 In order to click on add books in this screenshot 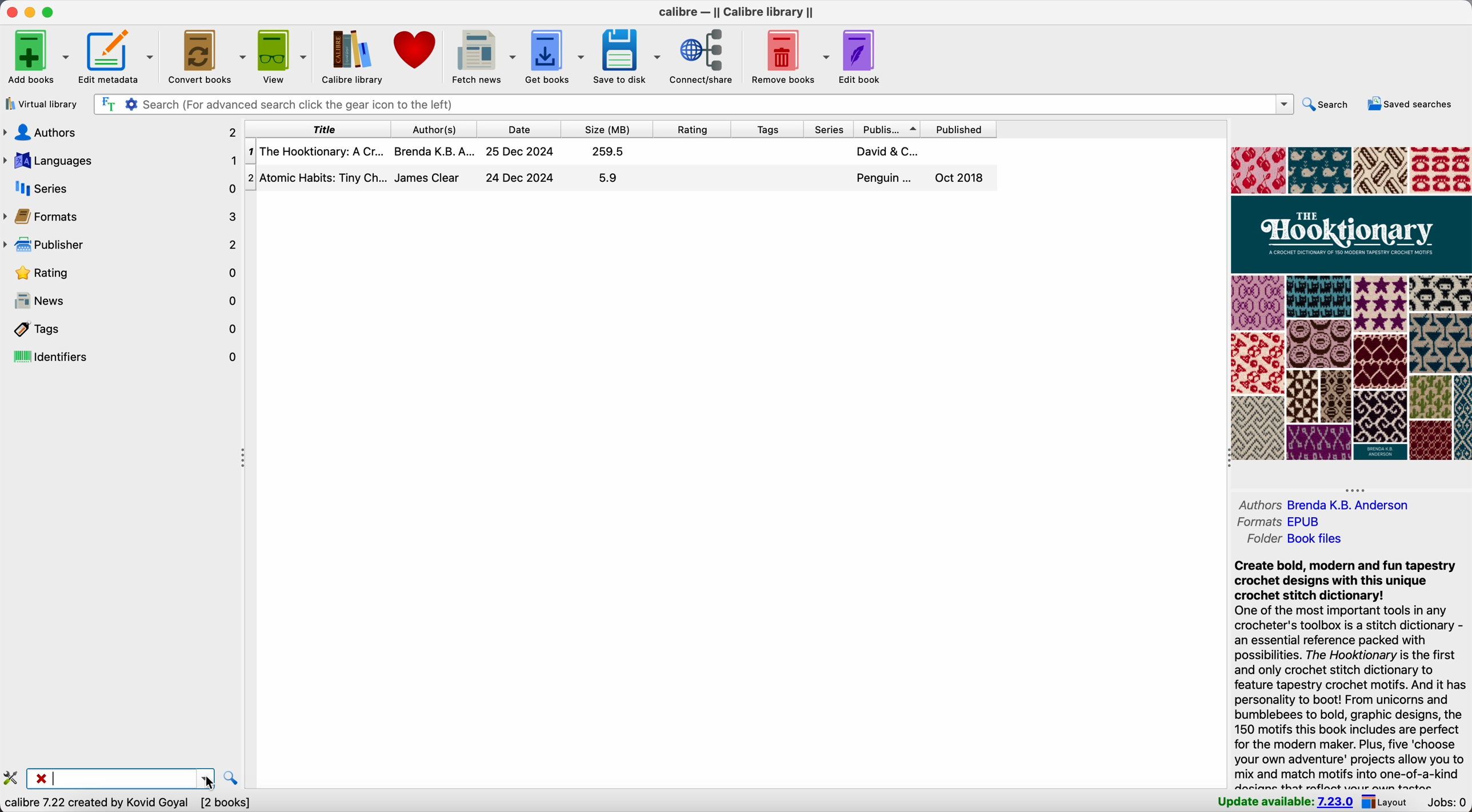, I will do `click(37, 59)`.